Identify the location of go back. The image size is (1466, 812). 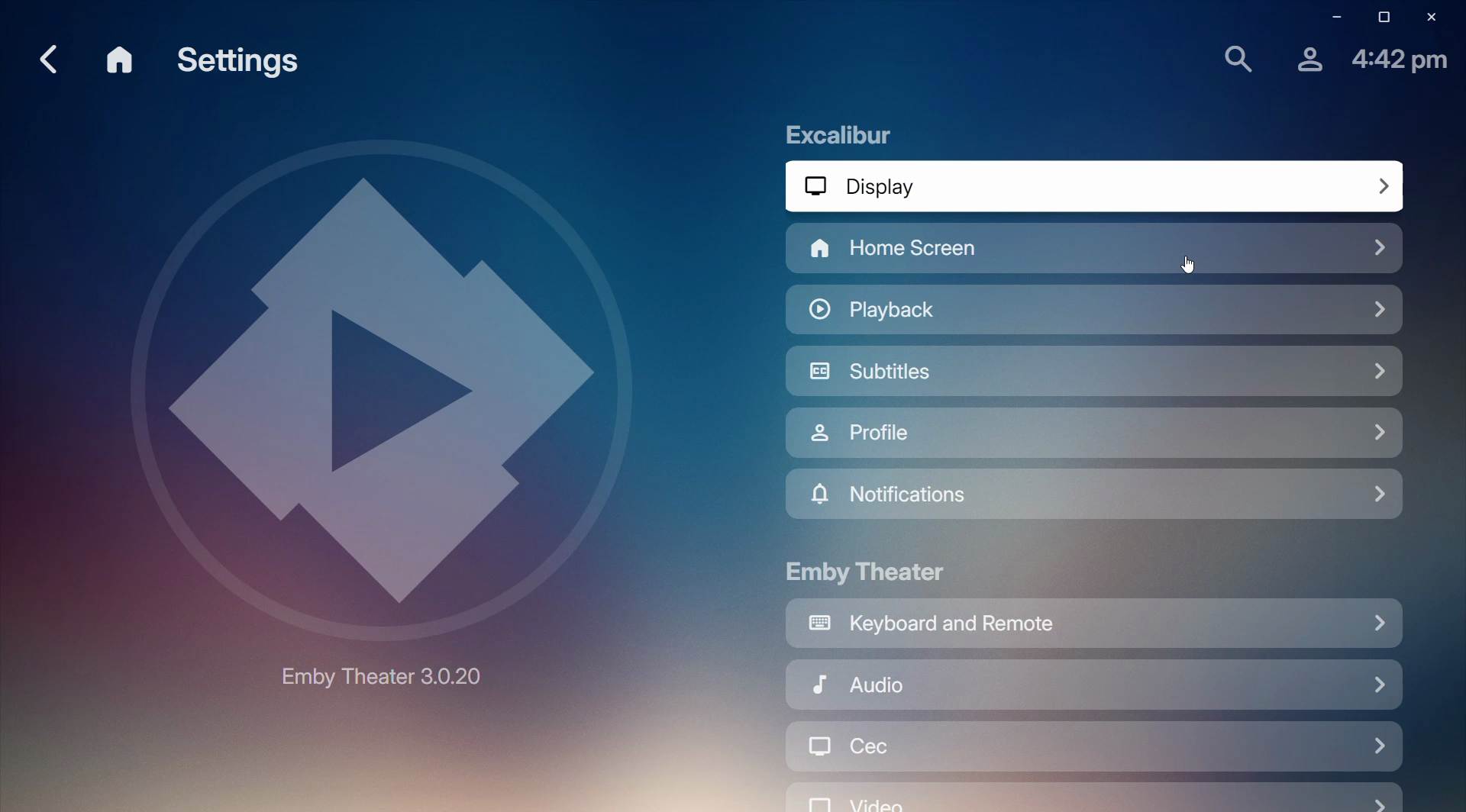
(56, 60).